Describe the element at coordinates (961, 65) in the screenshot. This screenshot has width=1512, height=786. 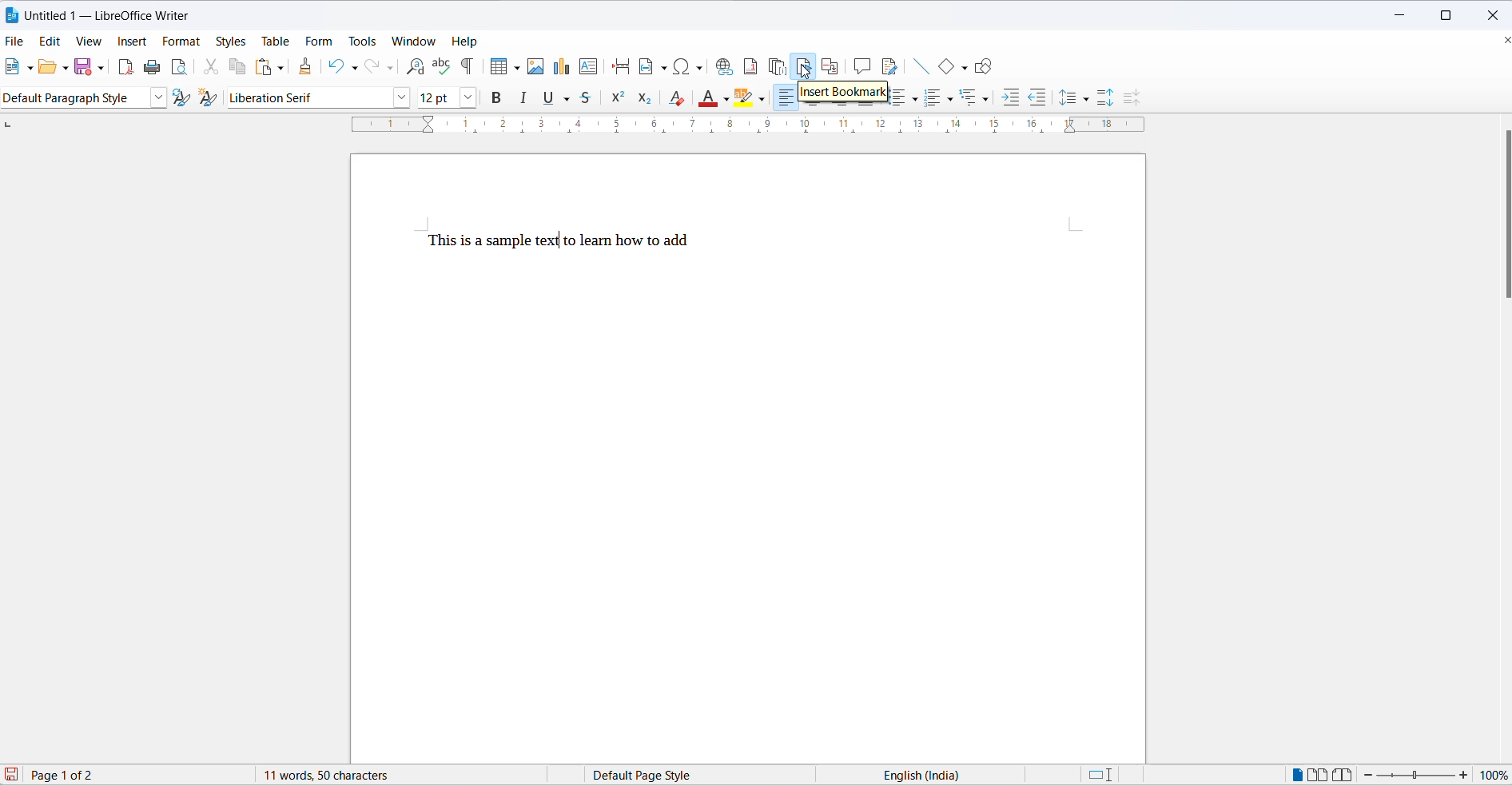
I see `basic shapes options` at that location.